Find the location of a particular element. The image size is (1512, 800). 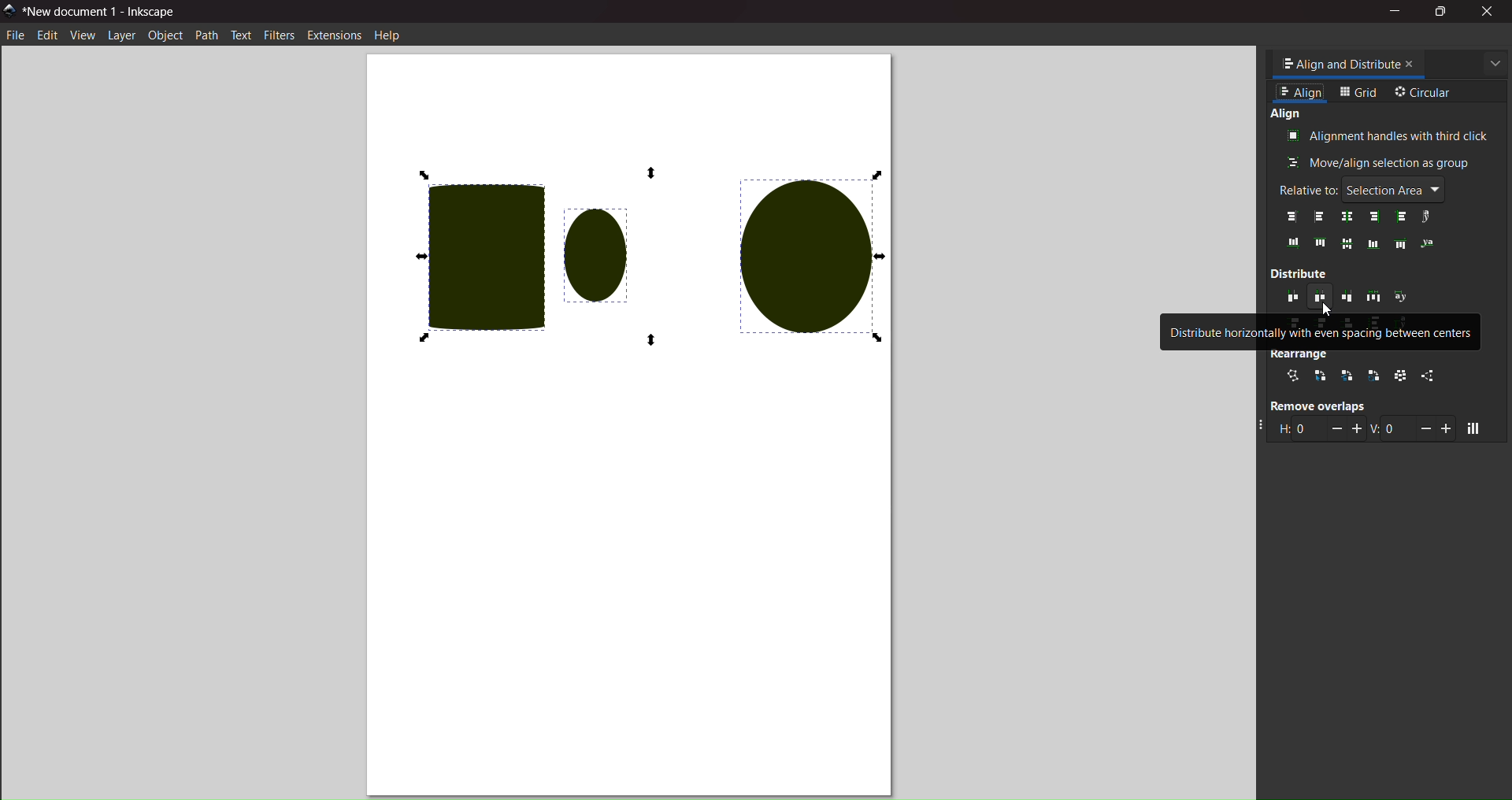

distribute horizontally with even spacing between centers is located at coordinates (1325, 330).